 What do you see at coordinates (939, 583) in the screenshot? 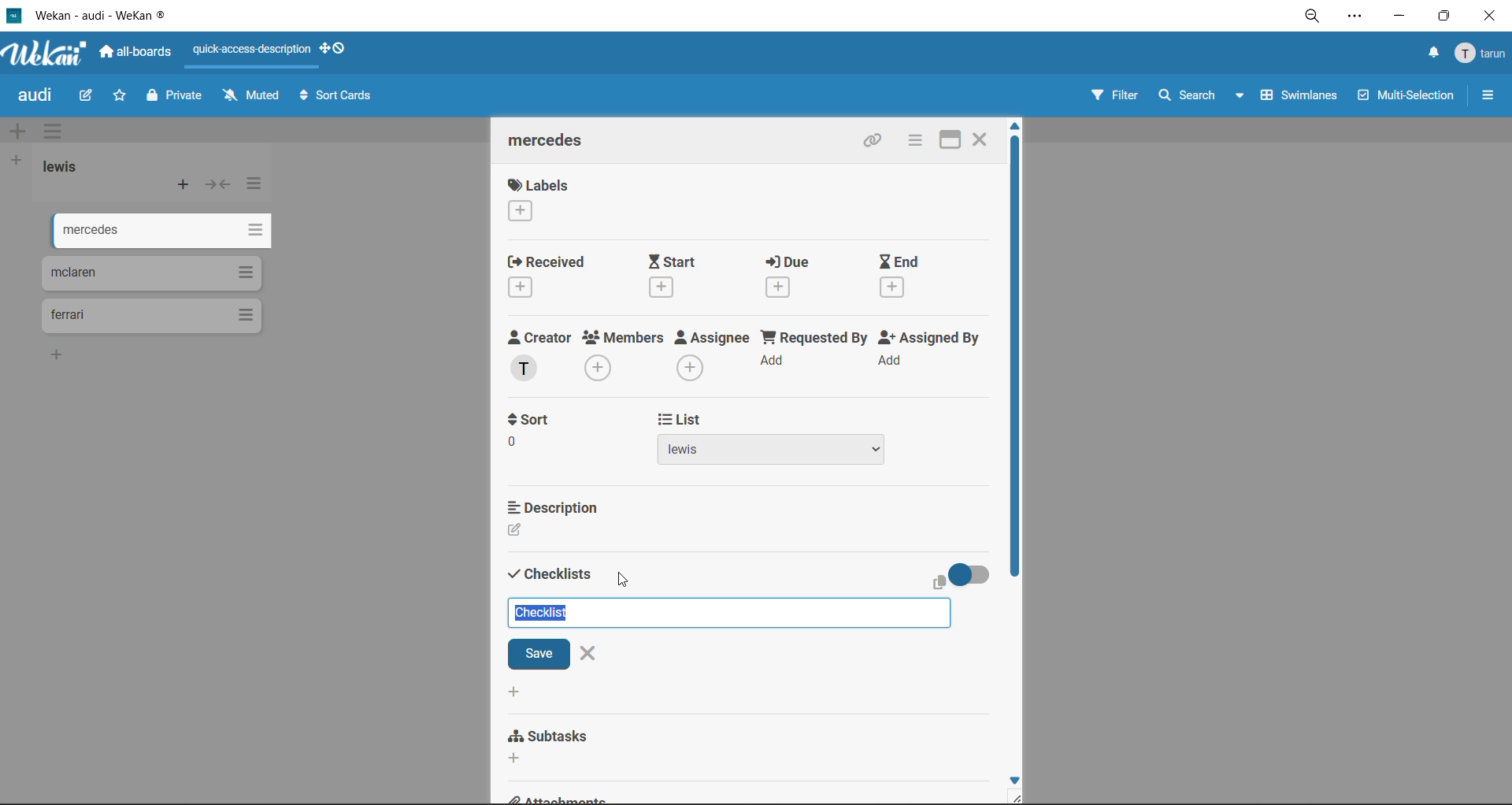
I see `copy` at bounding box center [939, 583].